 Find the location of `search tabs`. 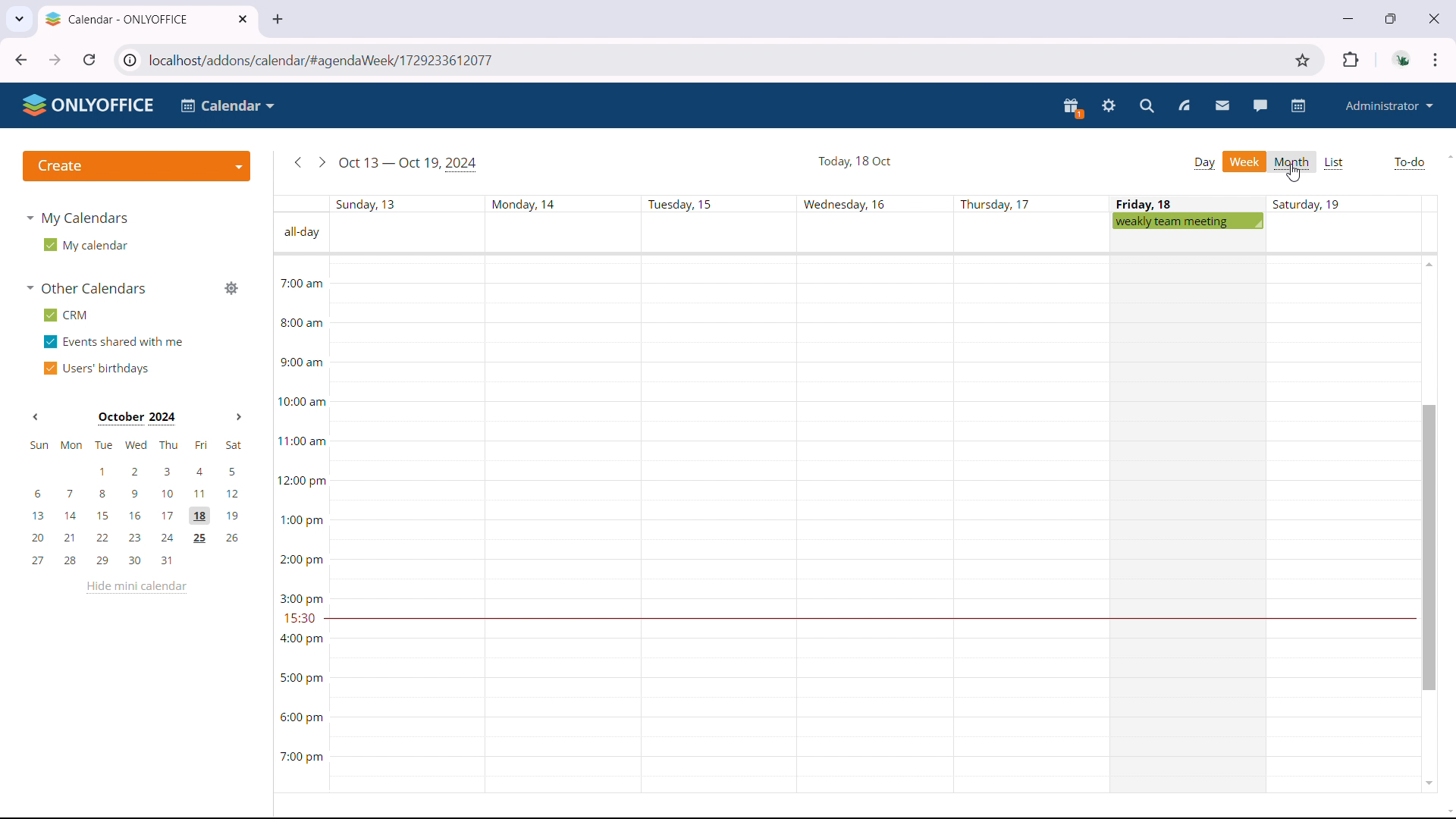

search tabs is located at coordinates (18, 19).